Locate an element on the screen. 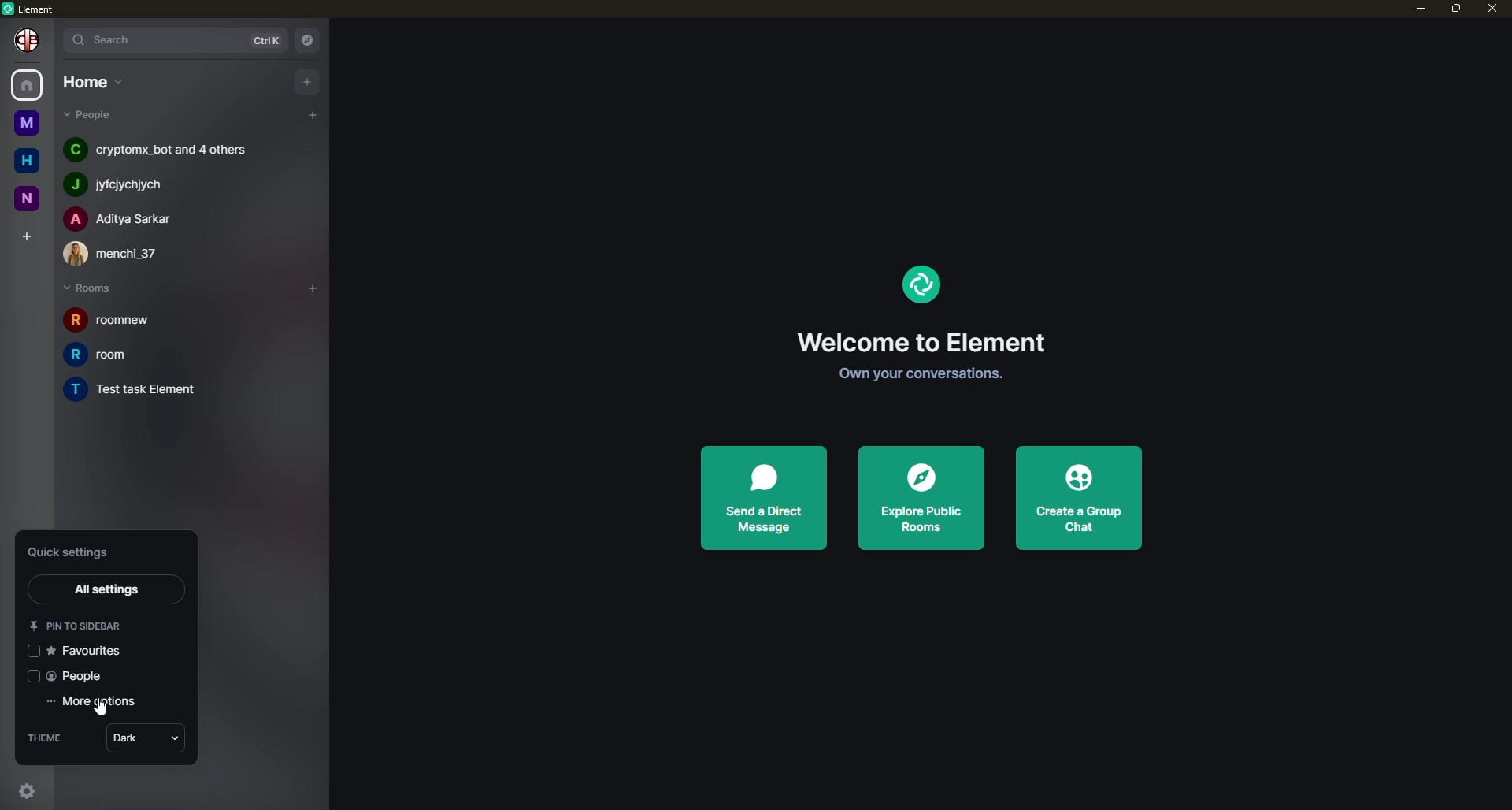 The height and width of the screenshot is (810, 1512). quick settings is located at coordinates (72, 552).